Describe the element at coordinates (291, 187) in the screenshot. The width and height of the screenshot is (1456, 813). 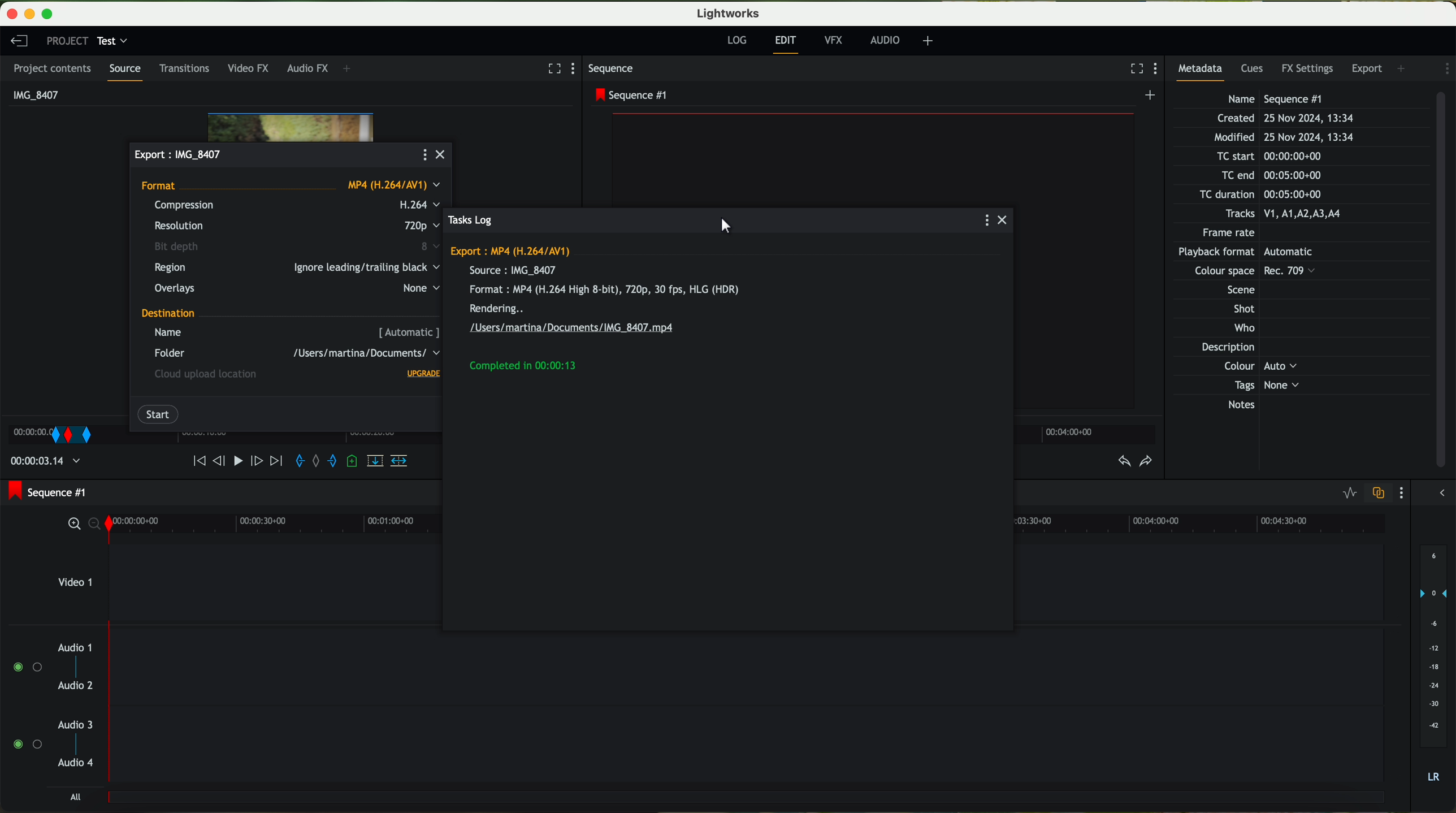
I see `format` at that location.